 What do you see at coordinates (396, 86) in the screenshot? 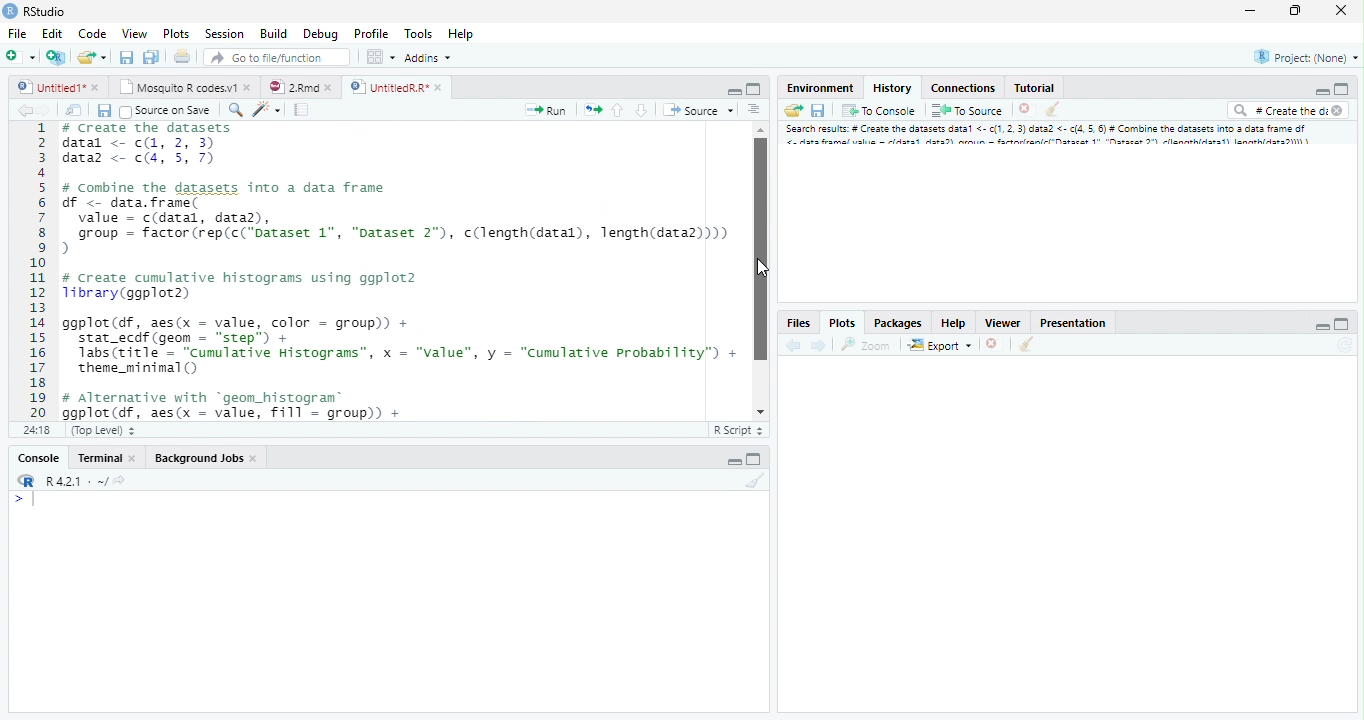
I see `UntitledR.R` at bounding box center [396, 86].